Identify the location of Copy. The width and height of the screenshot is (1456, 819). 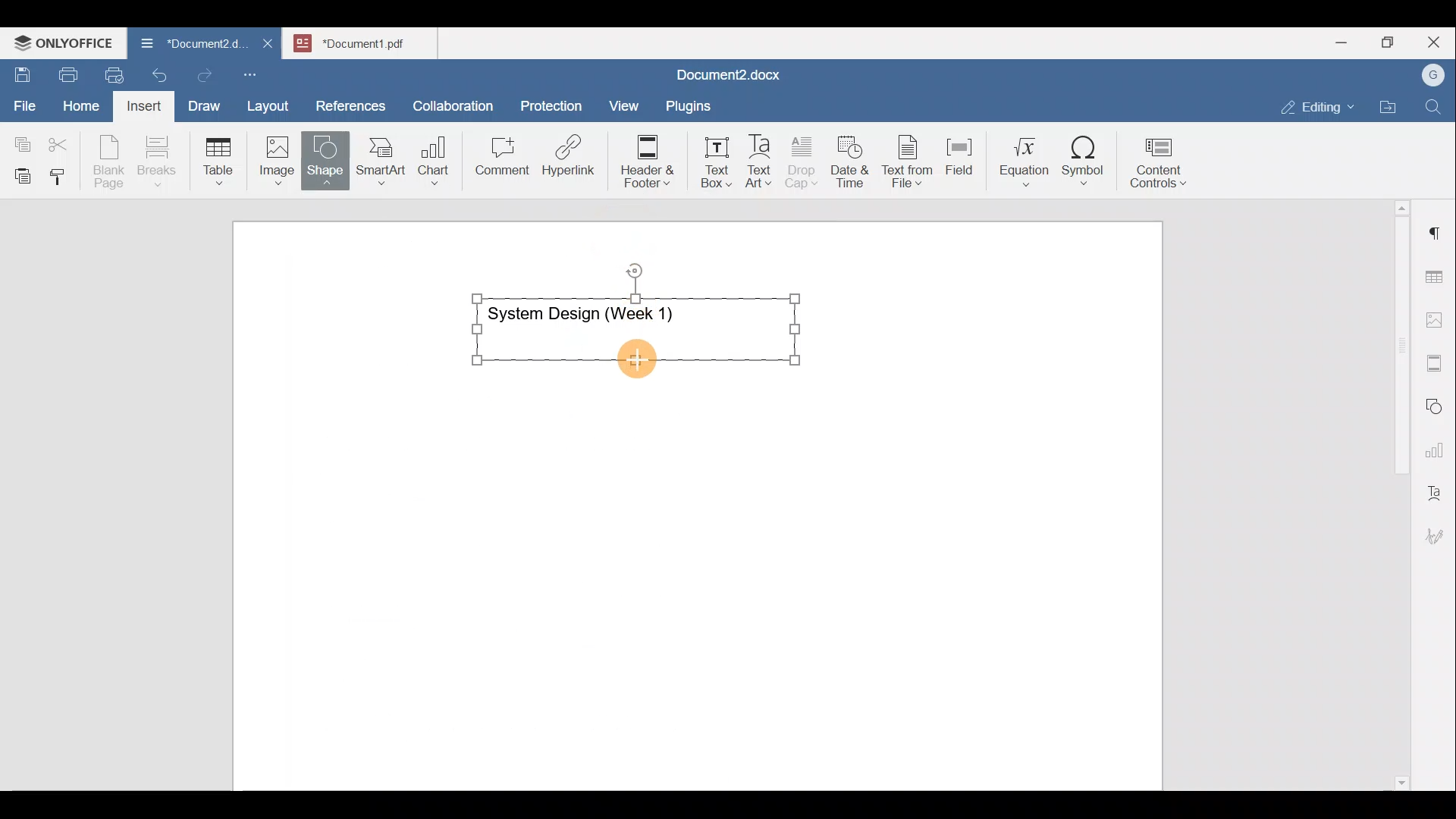
(20, 140).